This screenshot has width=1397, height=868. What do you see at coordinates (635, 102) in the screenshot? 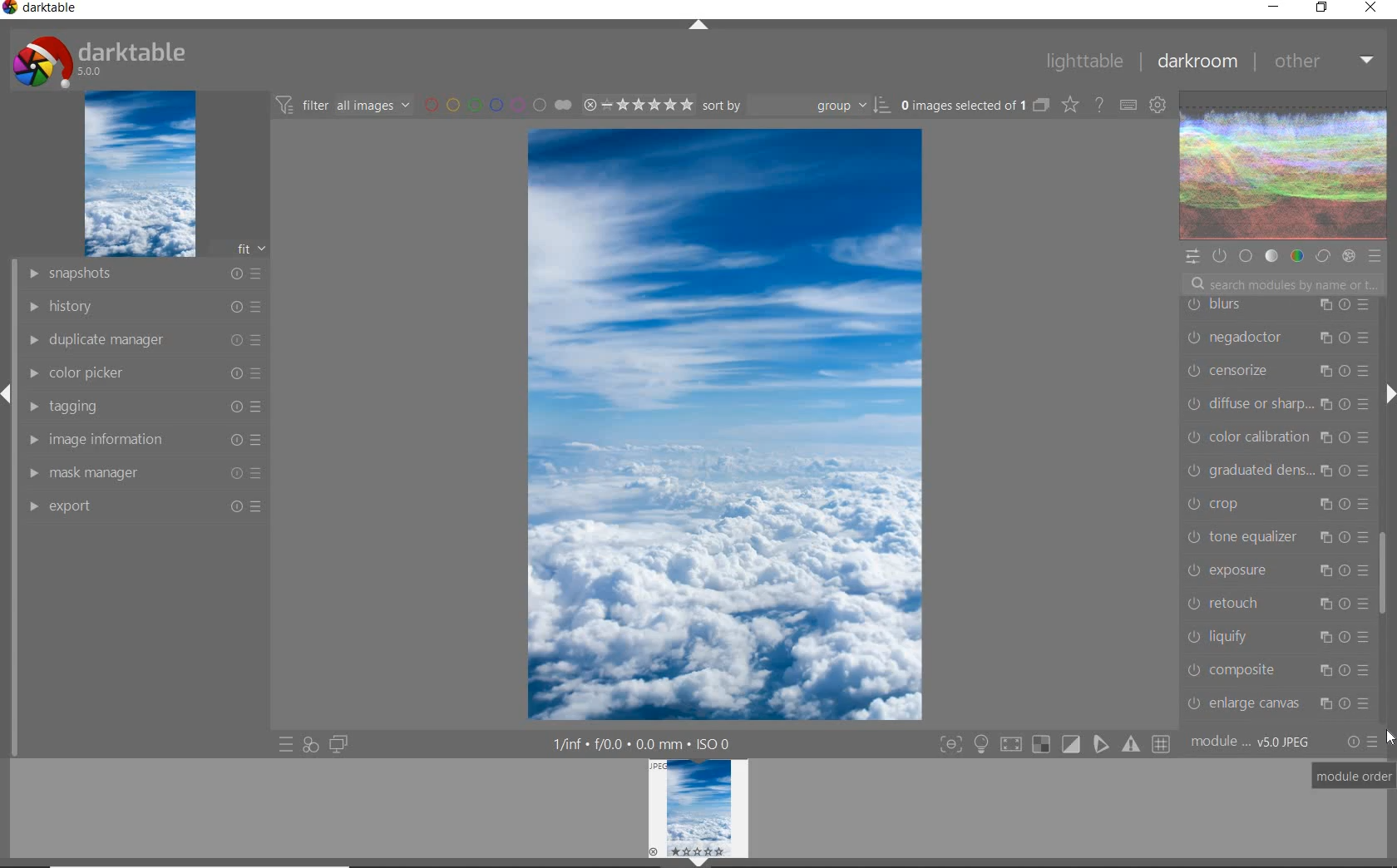
I see `SELECTED IMAGE RANGE RATING` at bounding box center [635, 102].